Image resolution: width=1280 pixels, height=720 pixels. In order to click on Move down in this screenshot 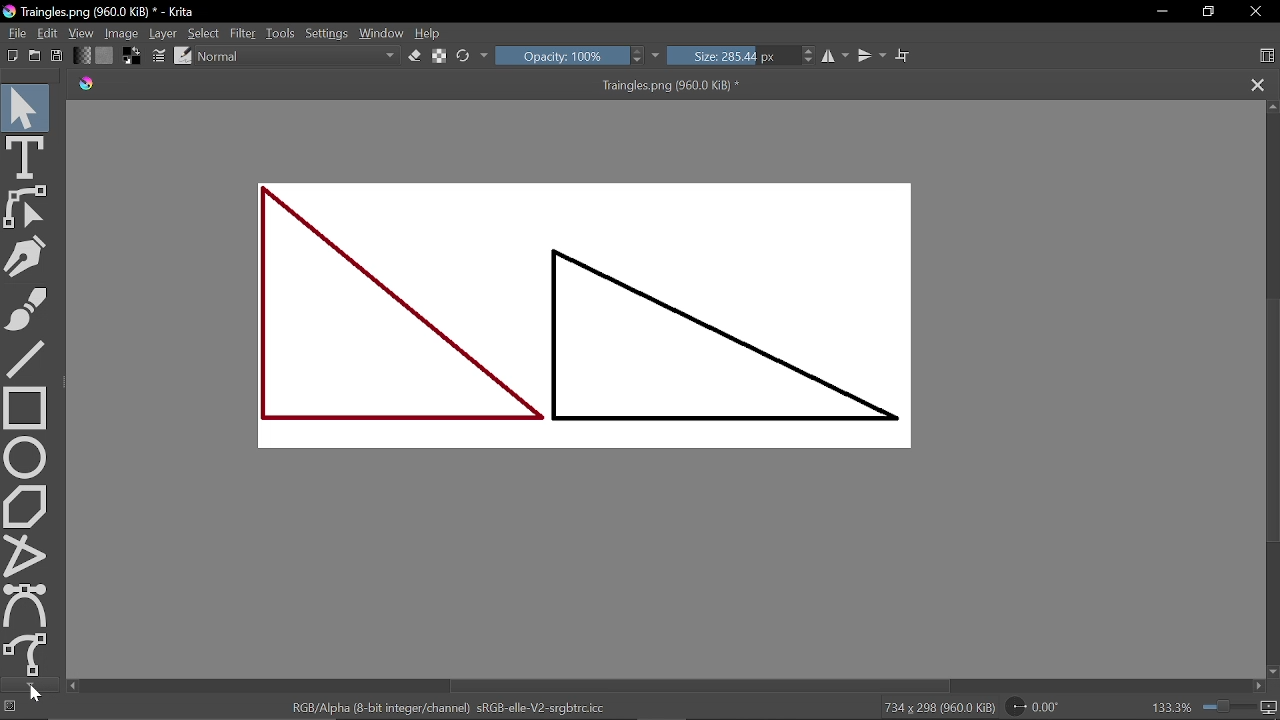, I will do `click(30, 684)`.